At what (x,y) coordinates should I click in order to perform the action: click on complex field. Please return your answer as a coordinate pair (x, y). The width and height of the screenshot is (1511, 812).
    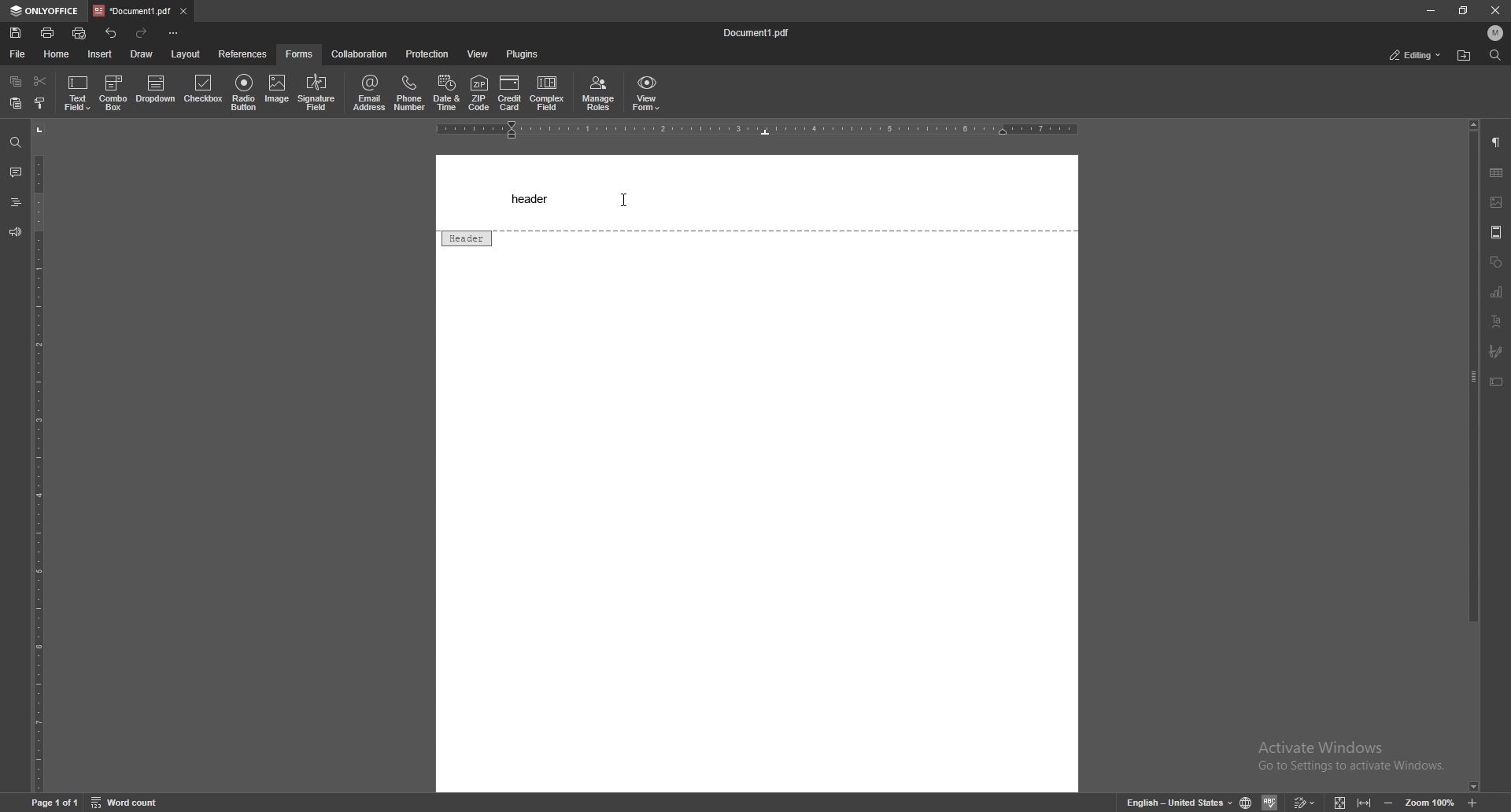
    Looking at the image, I should click on (547, 94).